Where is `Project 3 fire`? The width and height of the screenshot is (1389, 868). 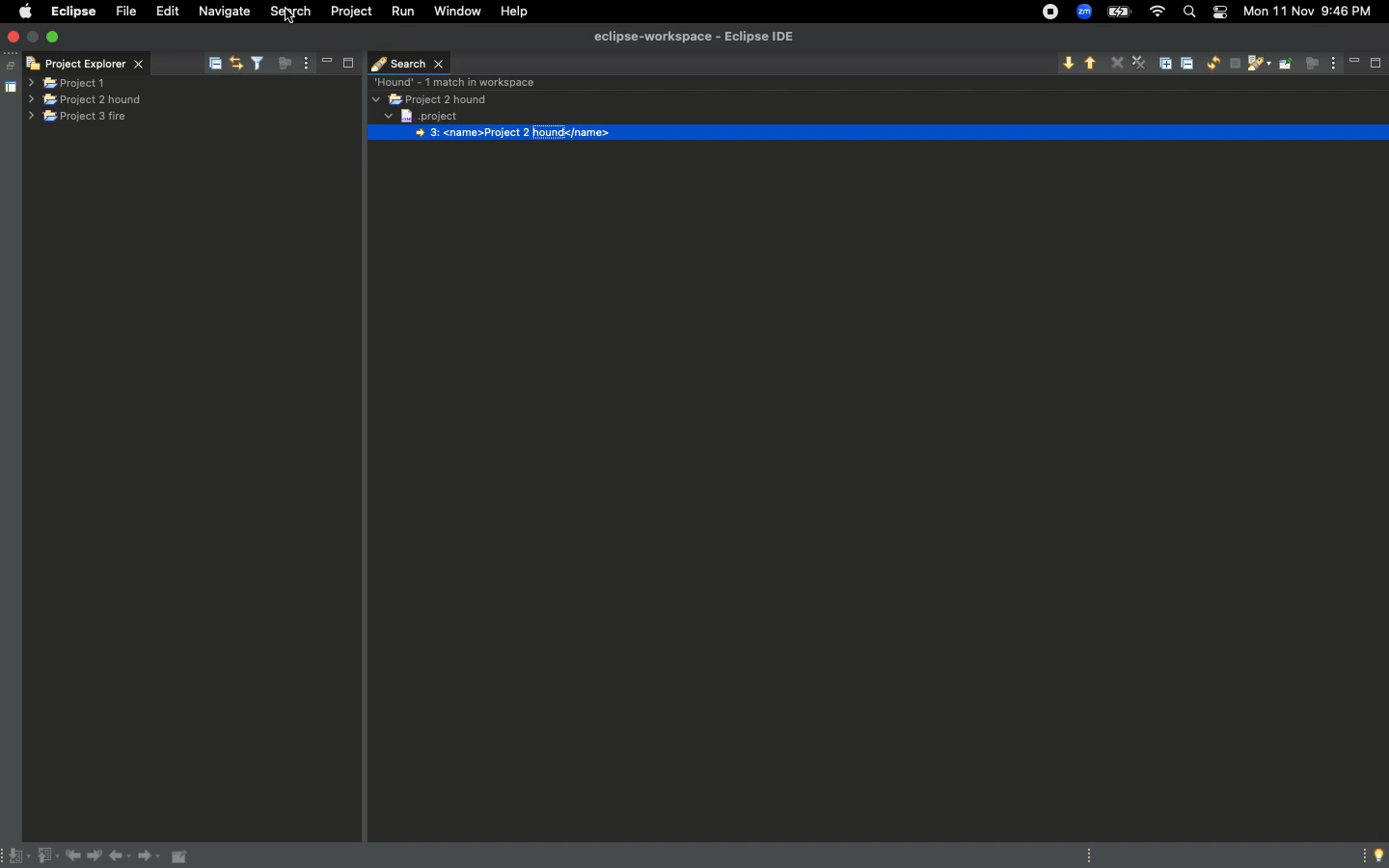 Project 3 fire is located at coordinates (75, 118).